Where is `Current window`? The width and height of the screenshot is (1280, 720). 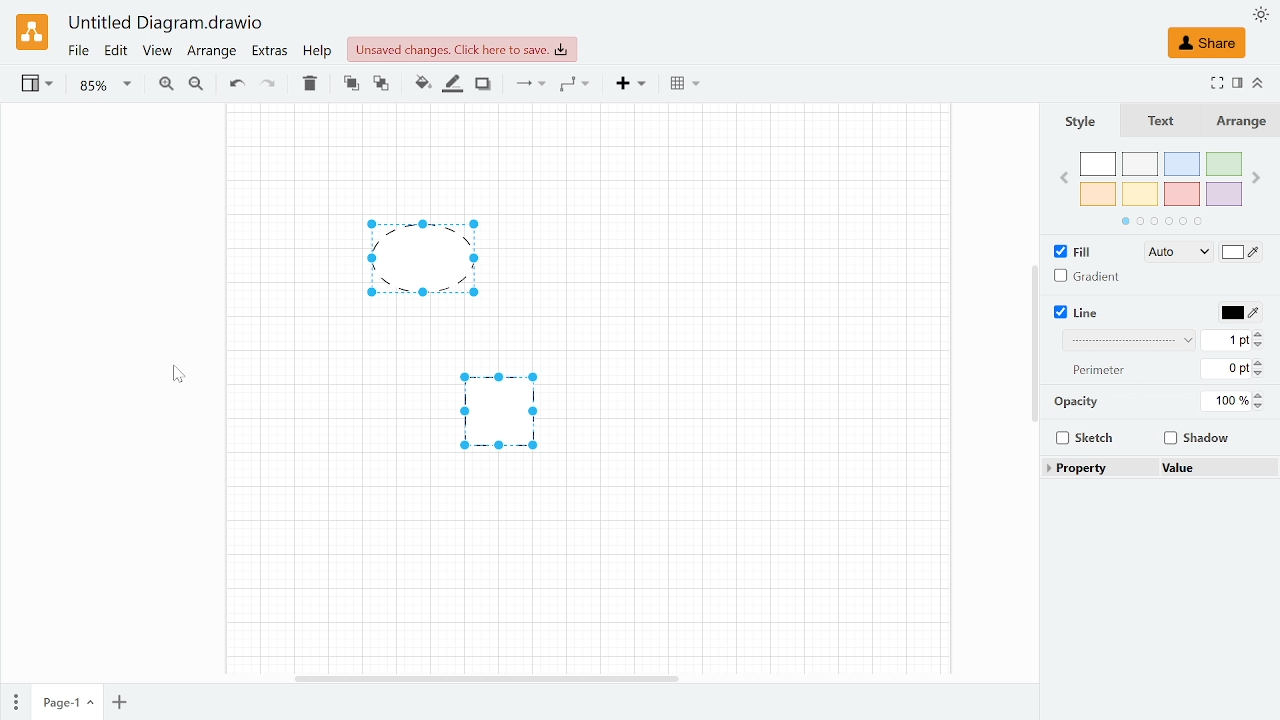
Current window is located at coordinates (167, 24).